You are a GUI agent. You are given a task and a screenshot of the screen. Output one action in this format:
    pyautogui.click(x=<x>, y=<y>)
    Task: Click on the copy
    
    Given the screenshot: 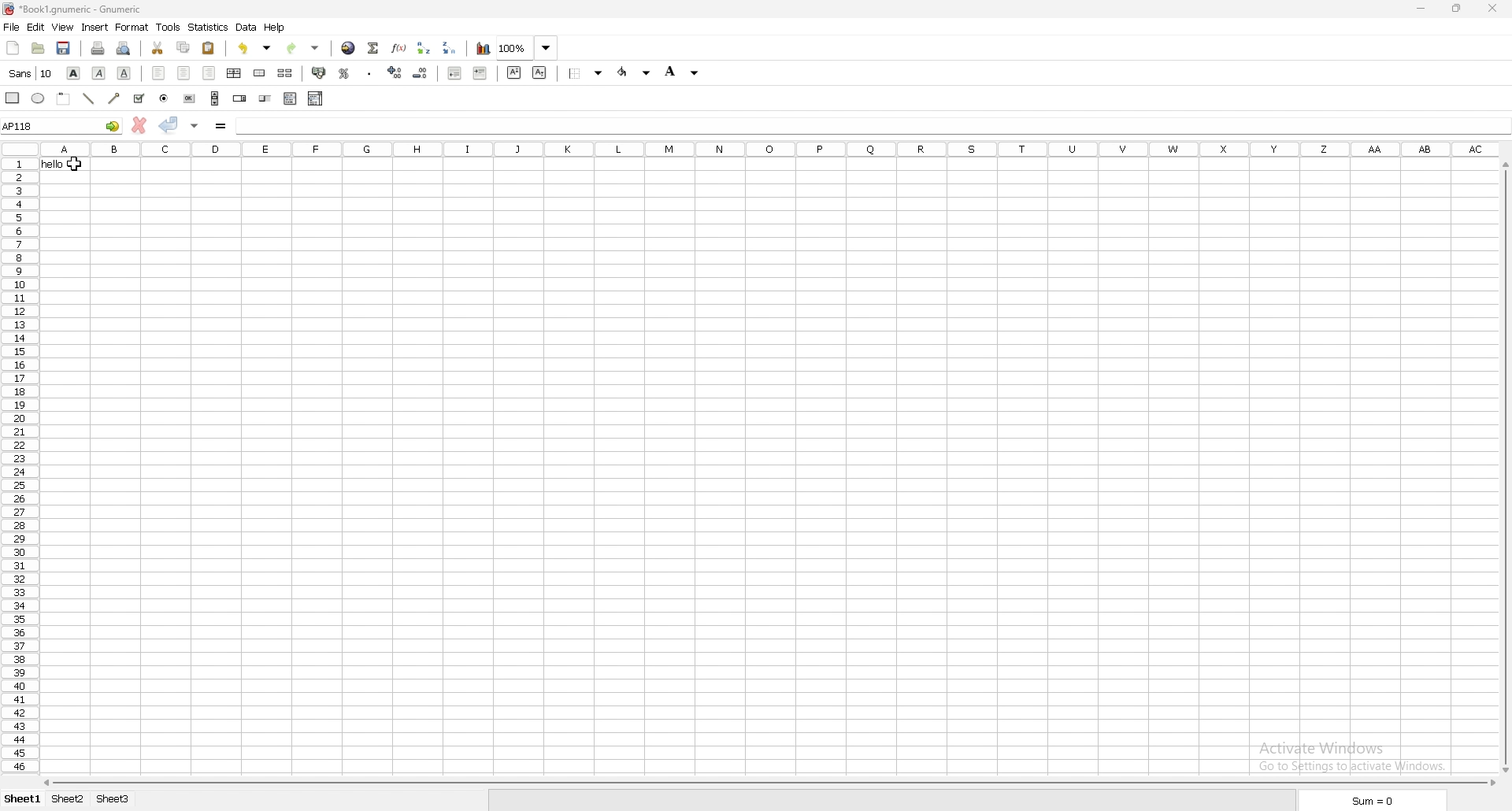 What is the action you would take?
    pyautogui.click(x=184, y=46)
    